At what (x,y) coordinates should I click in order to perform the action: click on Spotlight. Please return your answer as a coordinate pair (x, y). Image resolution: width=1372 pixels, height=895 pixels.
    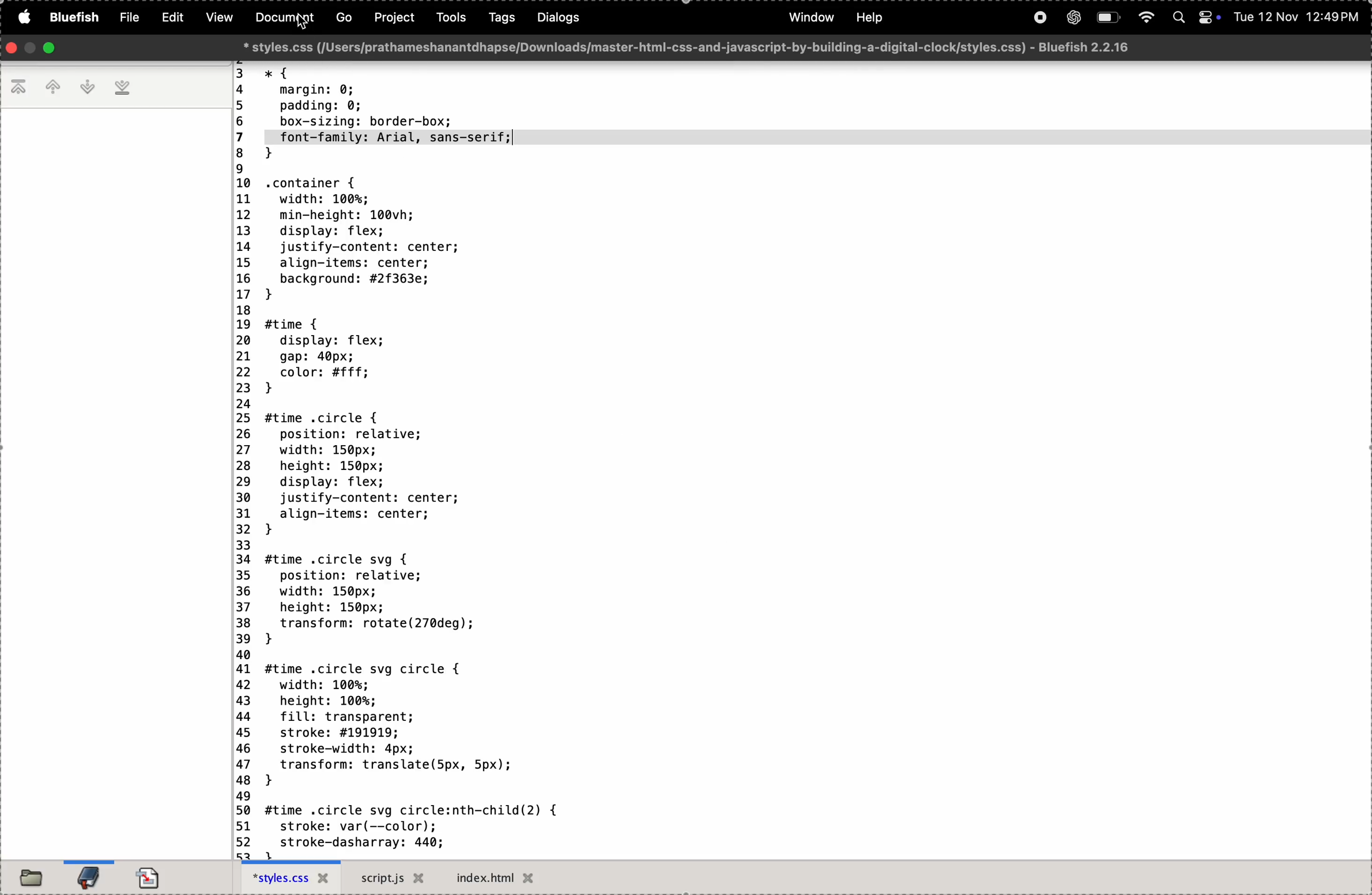
    Looking at the image, I should click on (1177, 18).